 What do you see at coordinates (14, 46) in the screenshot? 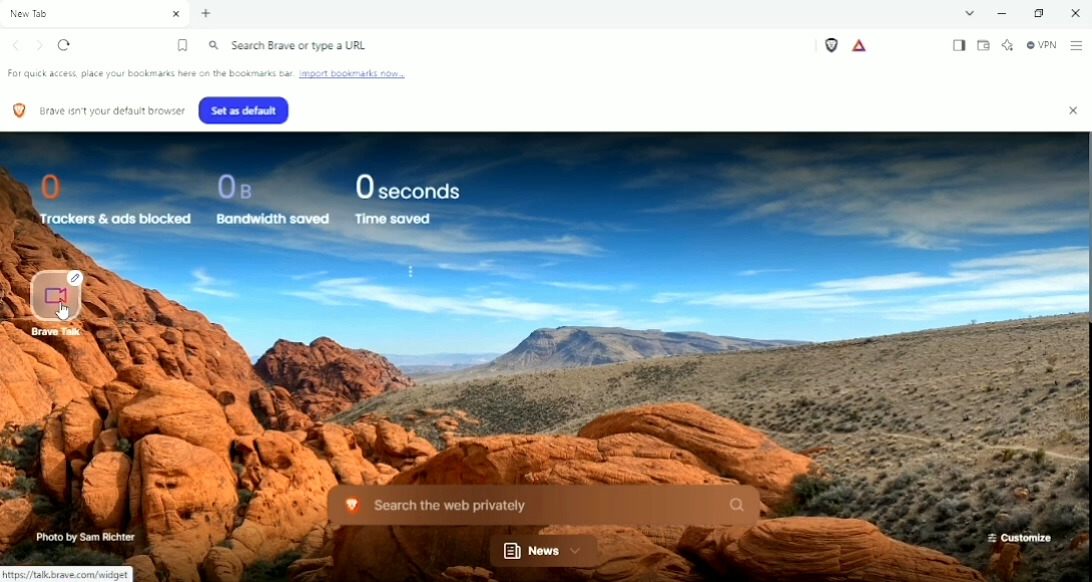
I see `Click to go back, hold to see history` at bounding box center [14, 46].